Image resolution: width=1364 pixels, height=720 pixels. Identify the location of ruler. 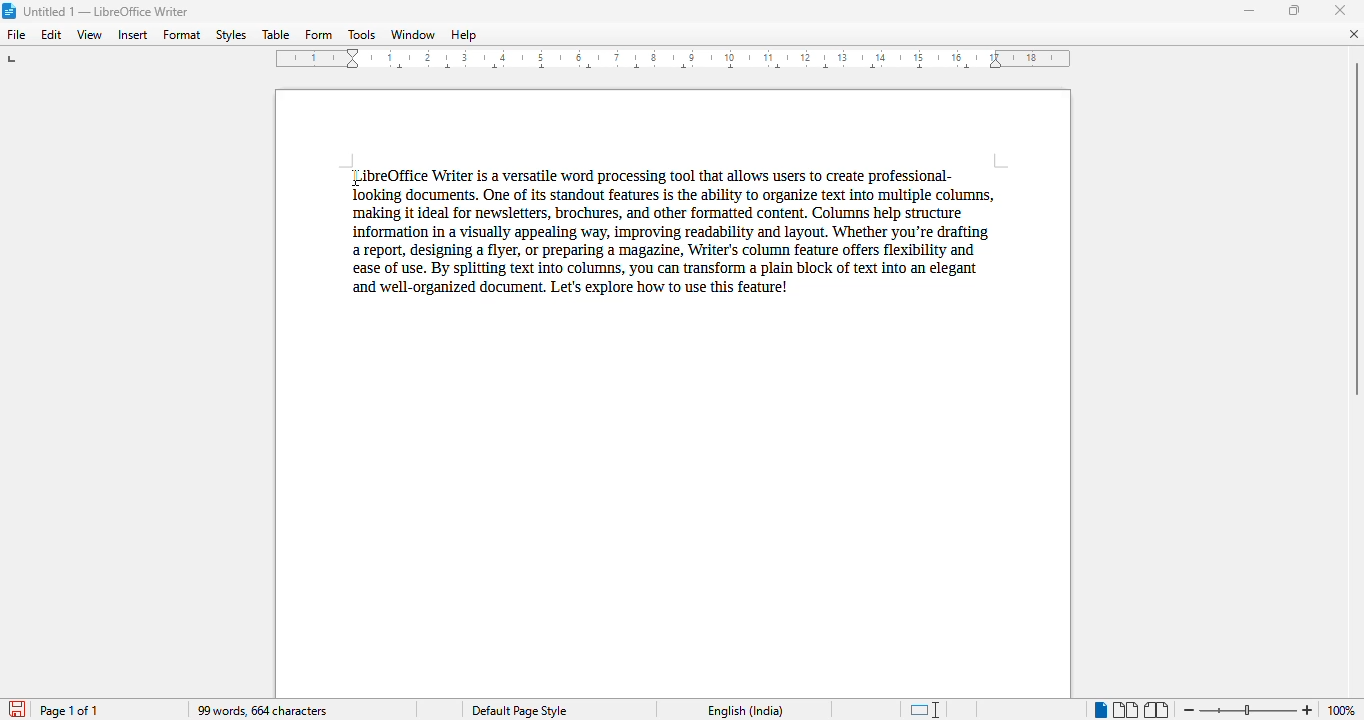
(673, 58).